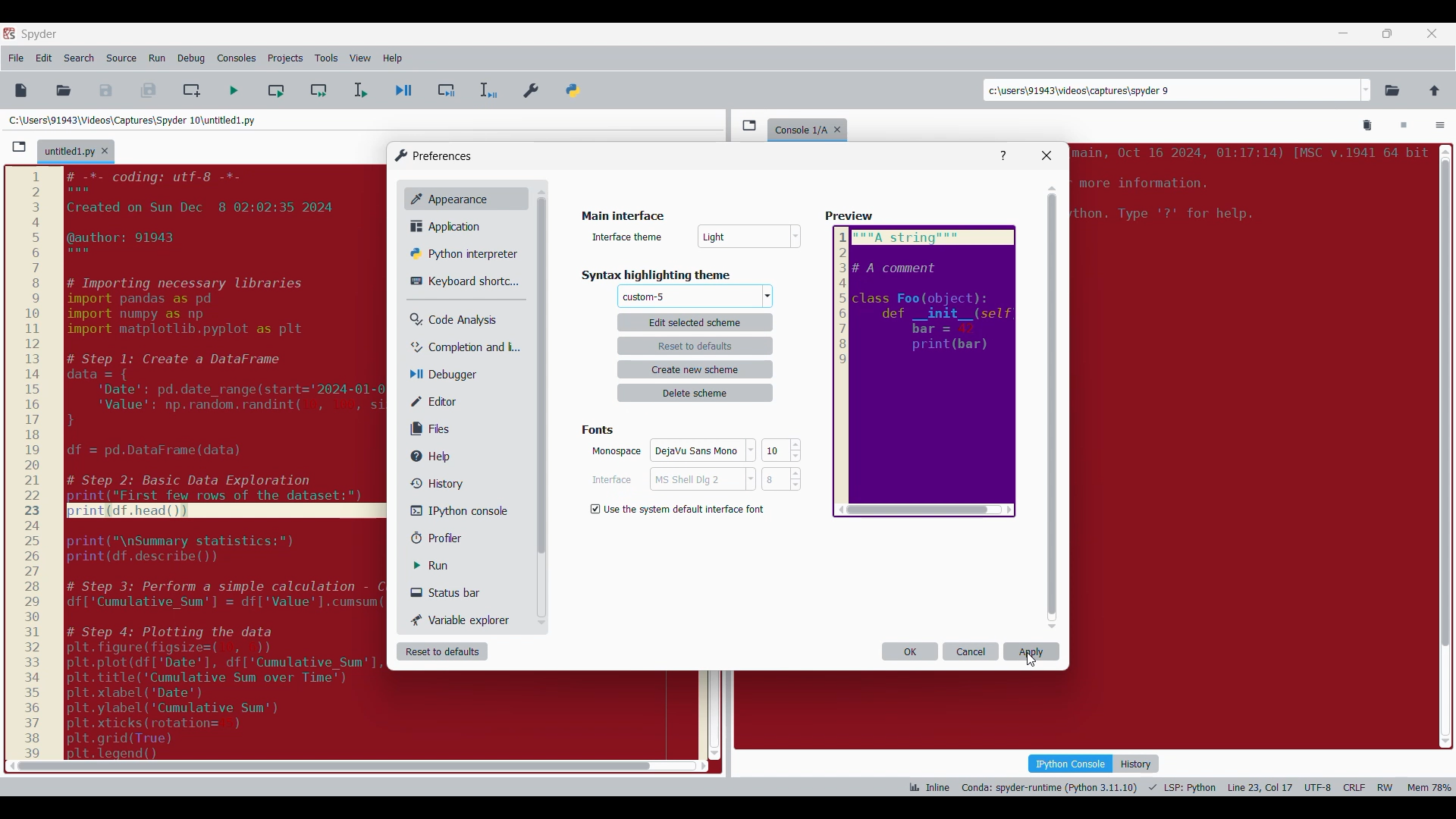 This screenshot has width=1456, height=819. I want to click on edit selected scheme, so click(695, 322).